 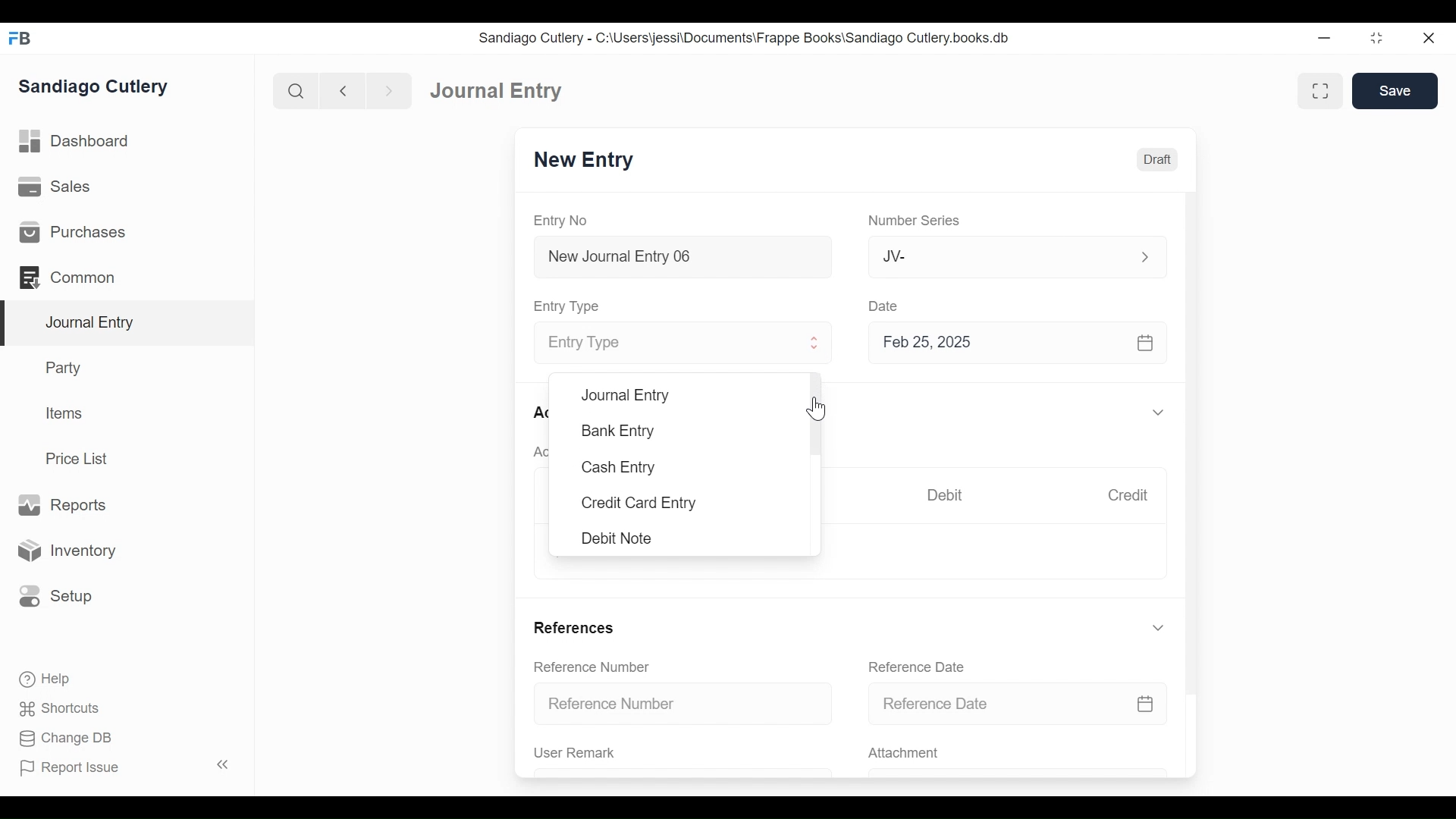 I want to click on Credit, so click(x=1127, y=495).